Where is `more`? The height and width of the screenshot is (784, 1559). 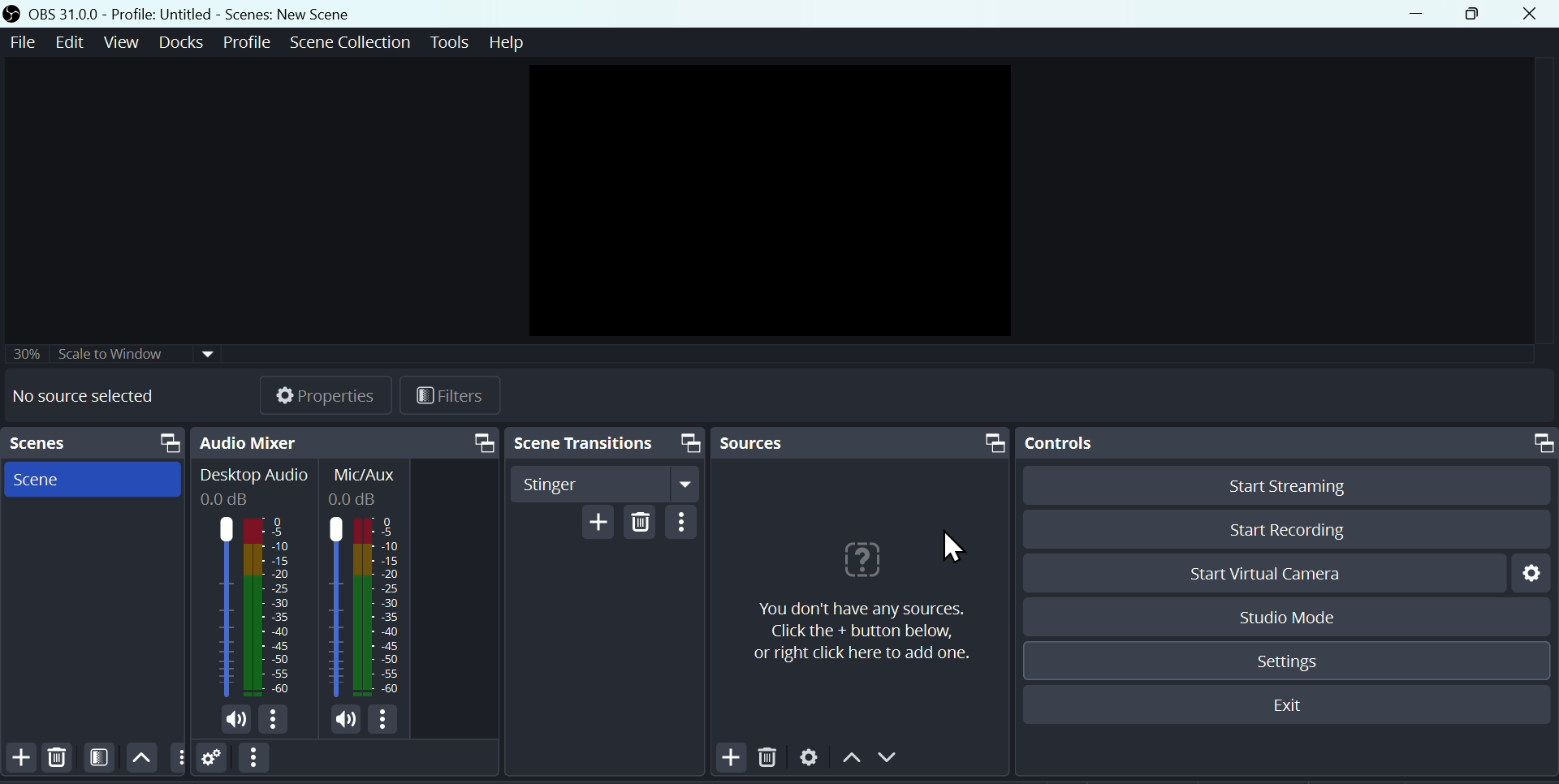
more is located at coordinates (278, 720).